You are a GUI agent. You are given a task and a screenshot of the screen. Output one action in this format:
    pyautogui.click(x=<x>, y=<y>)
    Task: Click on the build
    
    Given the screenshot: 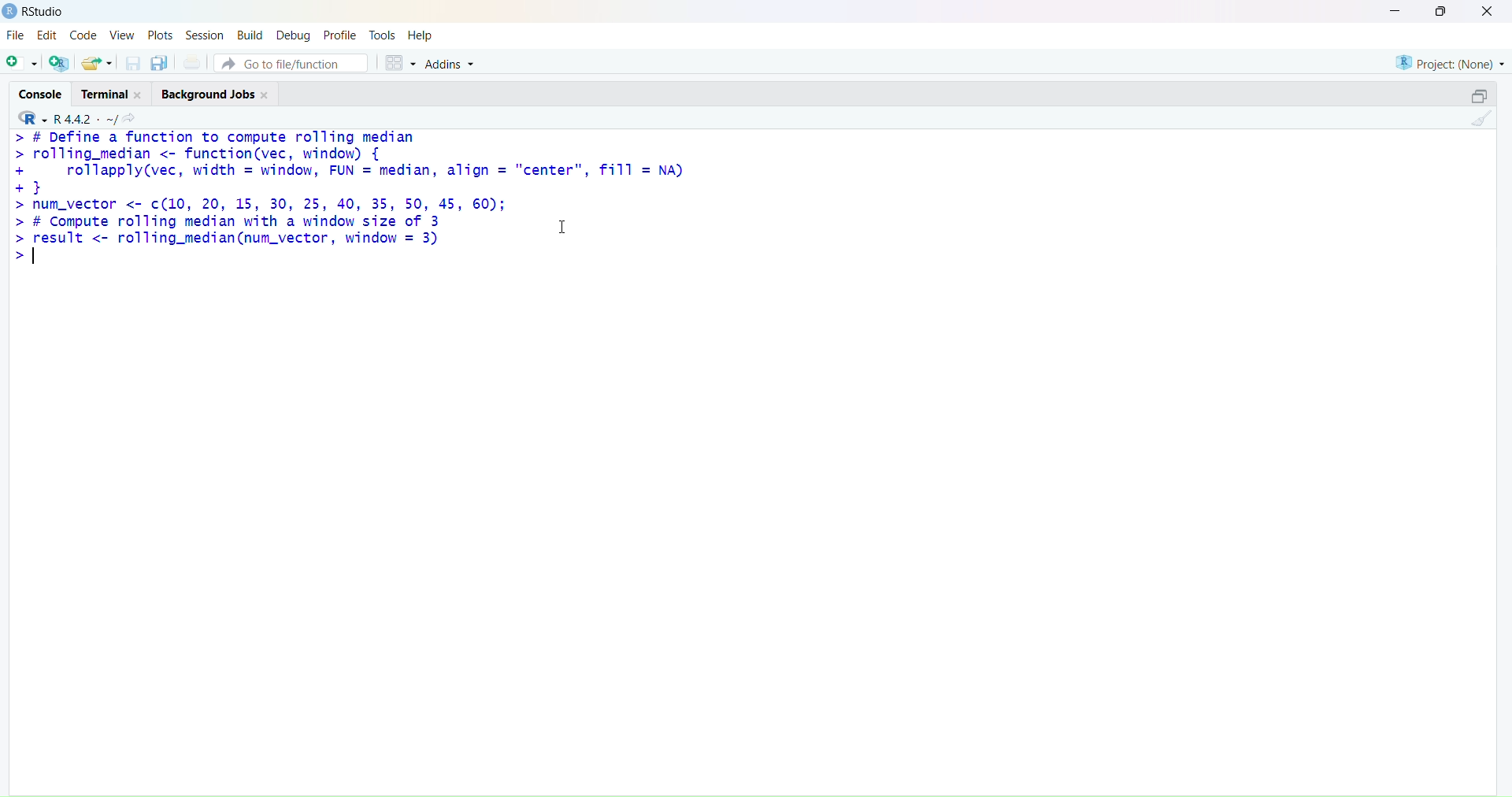 What is the action you would take?
    pyautogui.click(x=250, y=35)
    